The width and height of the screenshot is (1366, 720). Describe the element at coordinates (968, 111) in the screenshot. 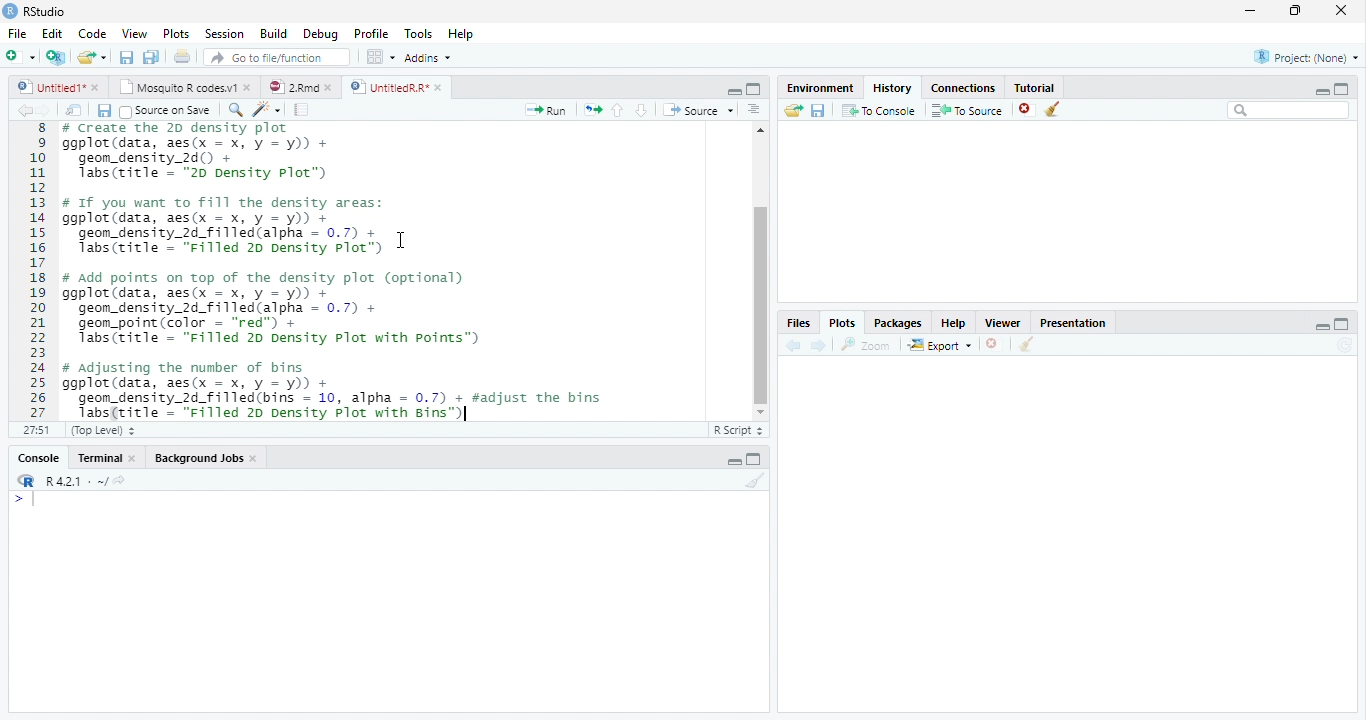

I see `To source` at that location.